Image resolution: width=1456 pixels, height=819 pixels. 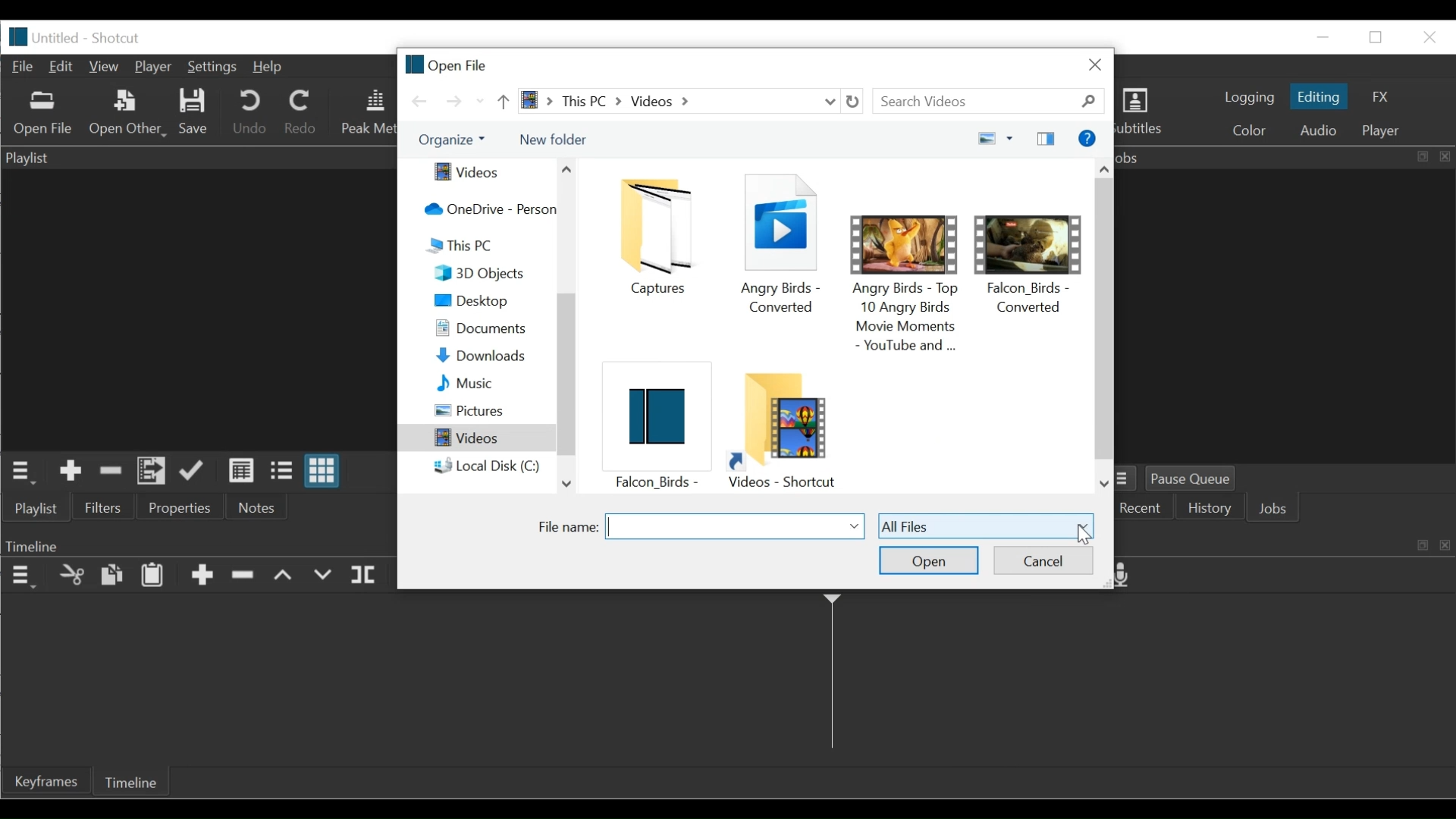 I want to click on Record audio, so click(x=1129, y=576).